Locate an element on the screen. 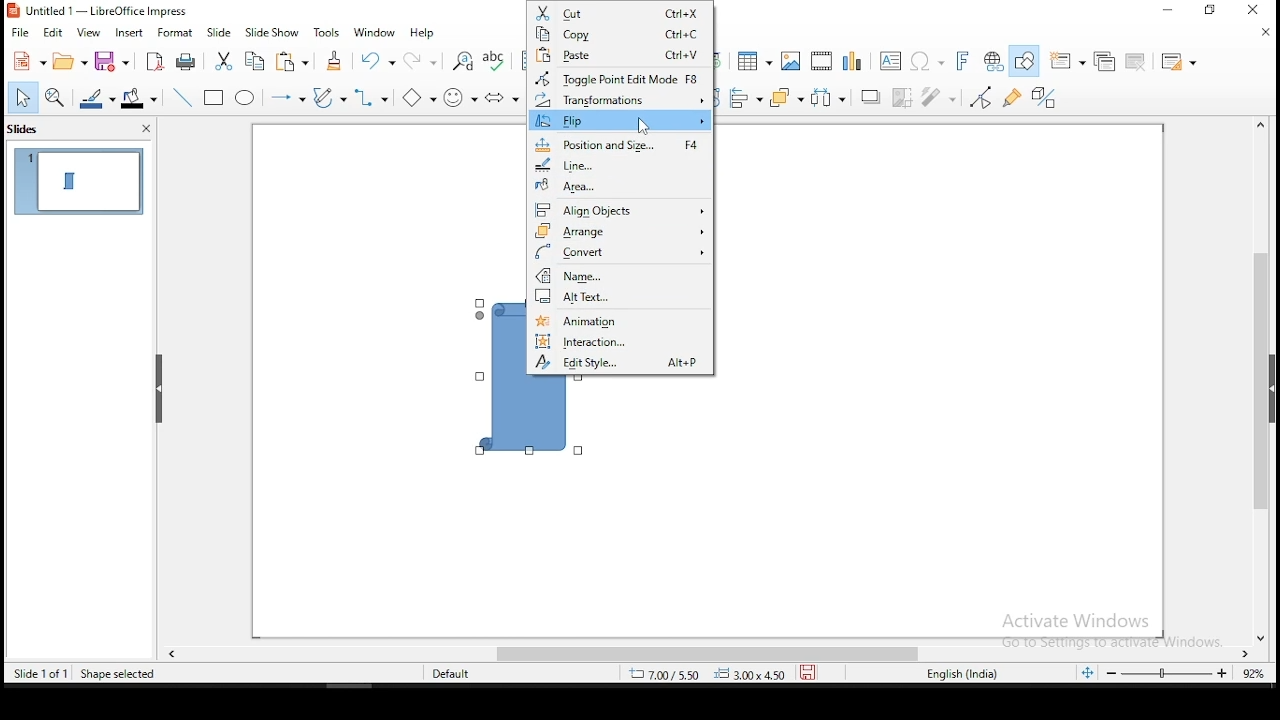  duplicate slide is located at coordinates (1106, 59).